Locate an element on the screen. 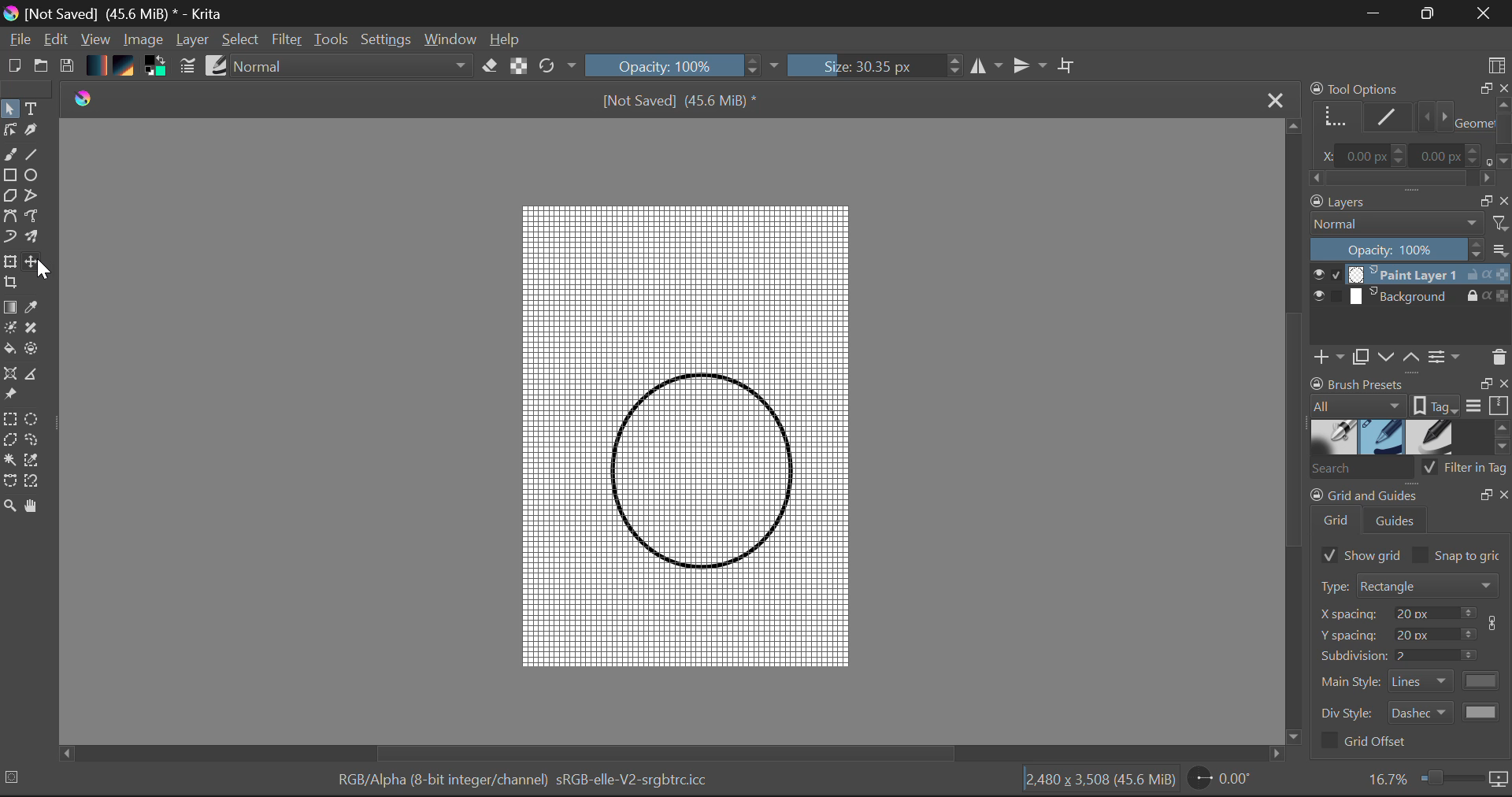  Refresh is located at coordinates (556, 68).